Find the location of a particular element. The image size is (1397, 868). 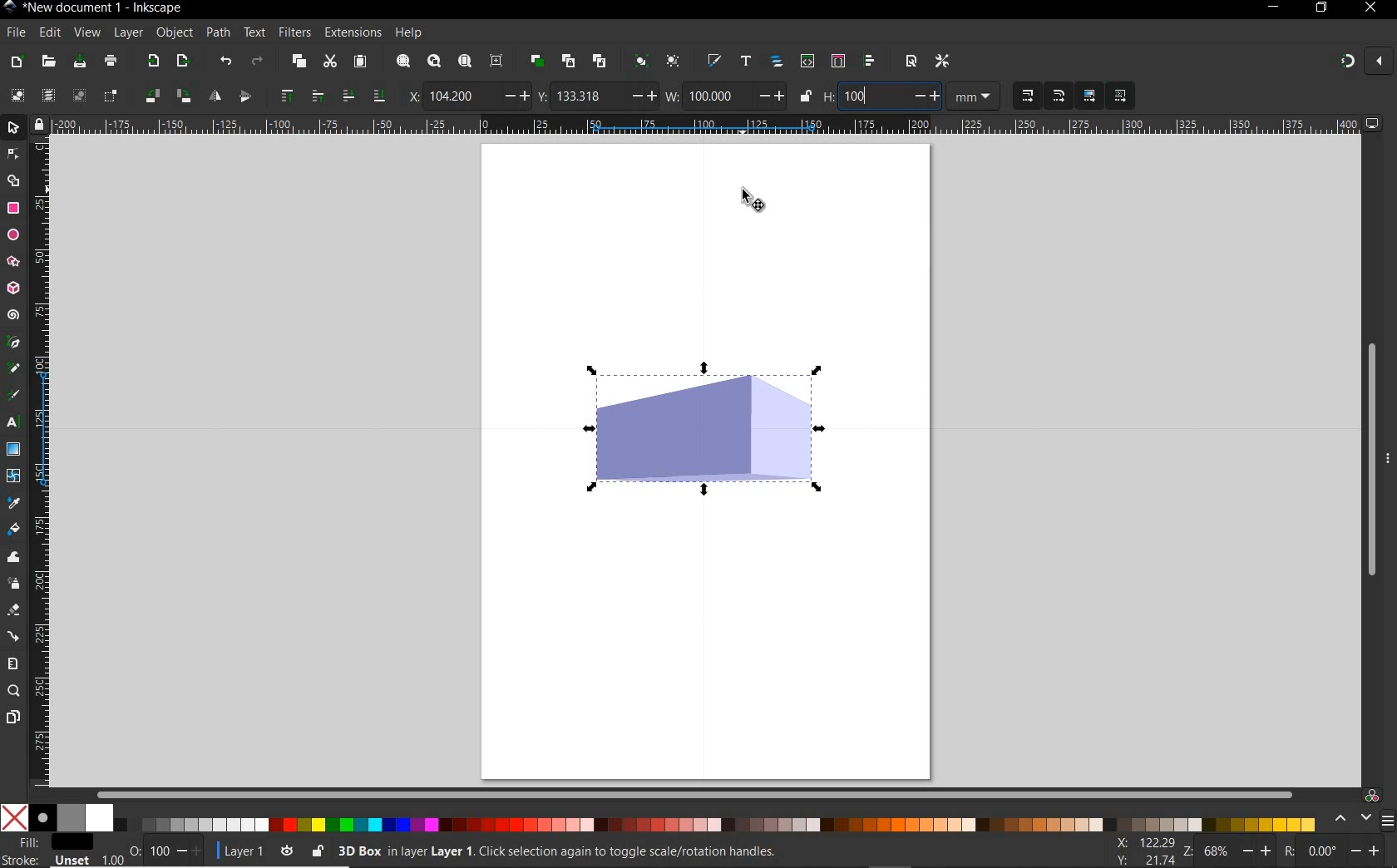

node tool is located at coordinates (13, 155).